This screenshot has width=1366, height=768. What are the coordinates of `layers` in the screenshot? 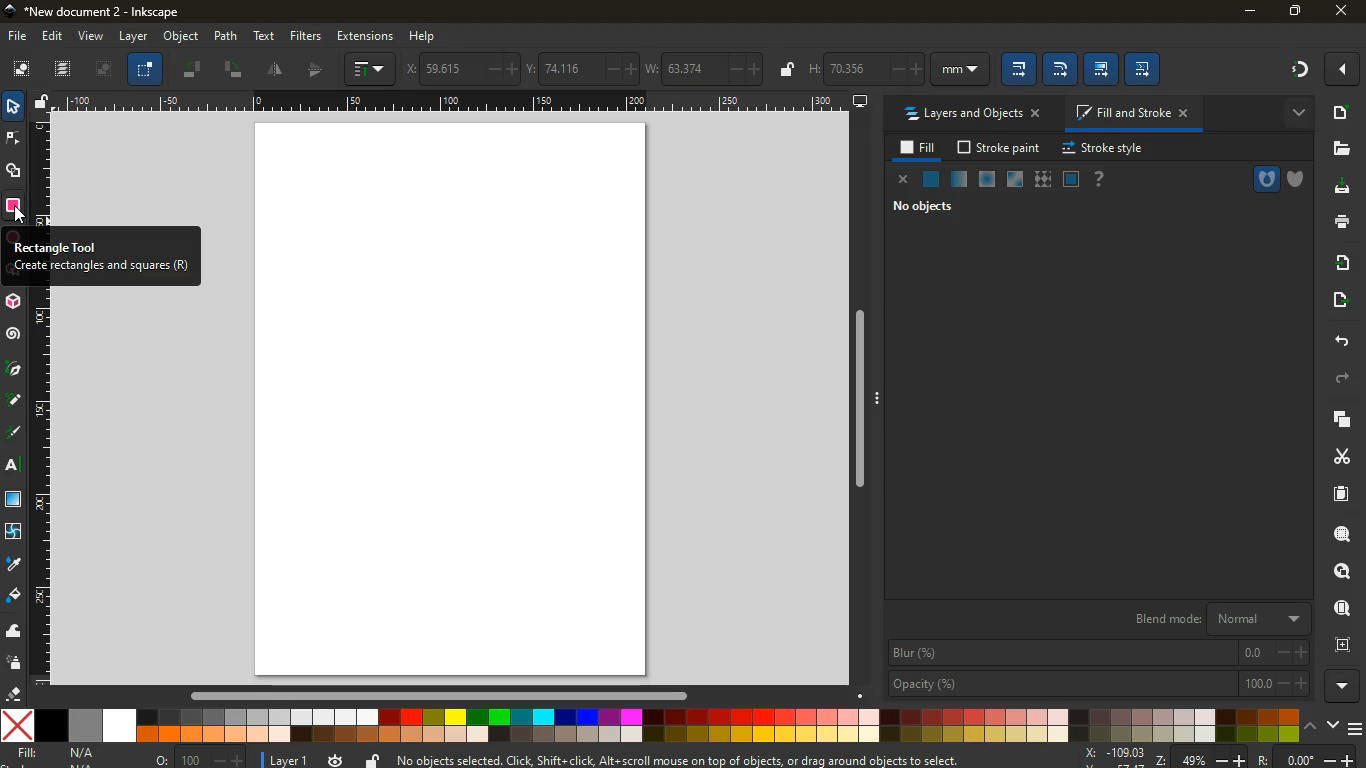 It's located at (1342, 420).